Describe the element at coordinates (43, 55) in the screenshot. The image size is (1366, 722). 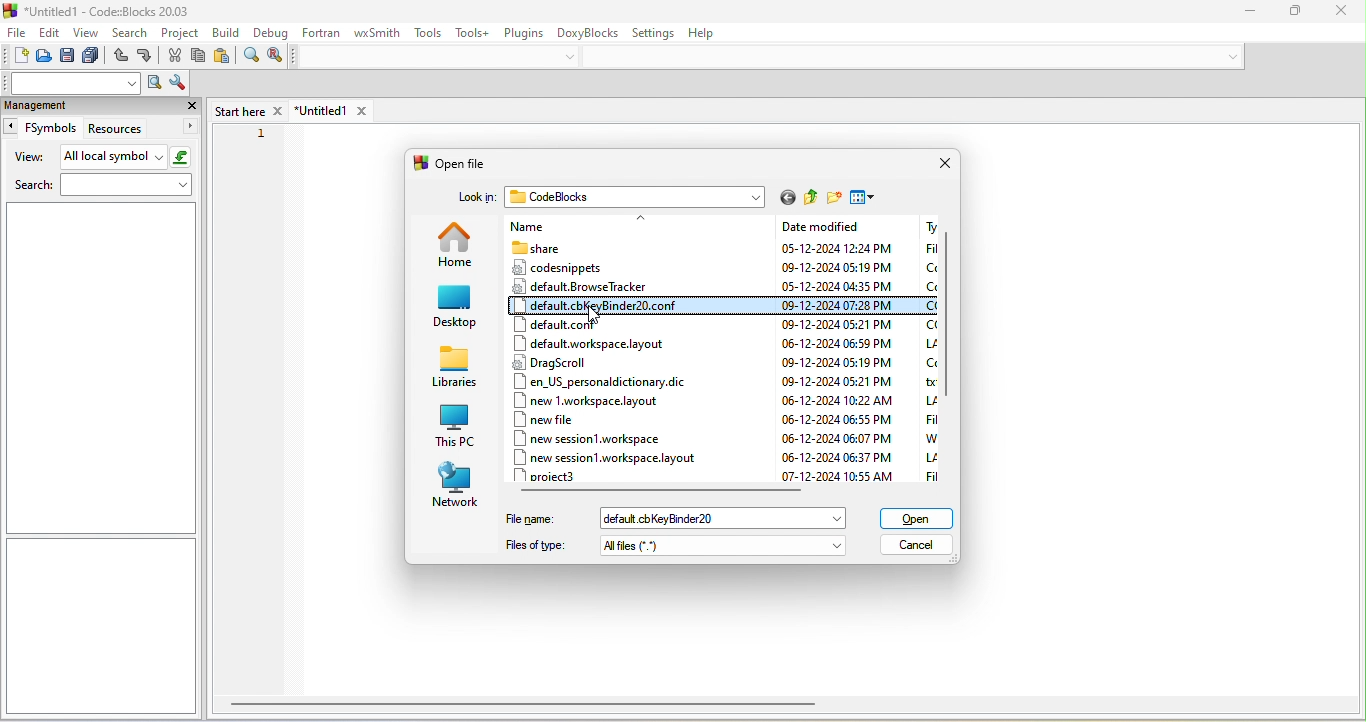
I see `open` at that location.